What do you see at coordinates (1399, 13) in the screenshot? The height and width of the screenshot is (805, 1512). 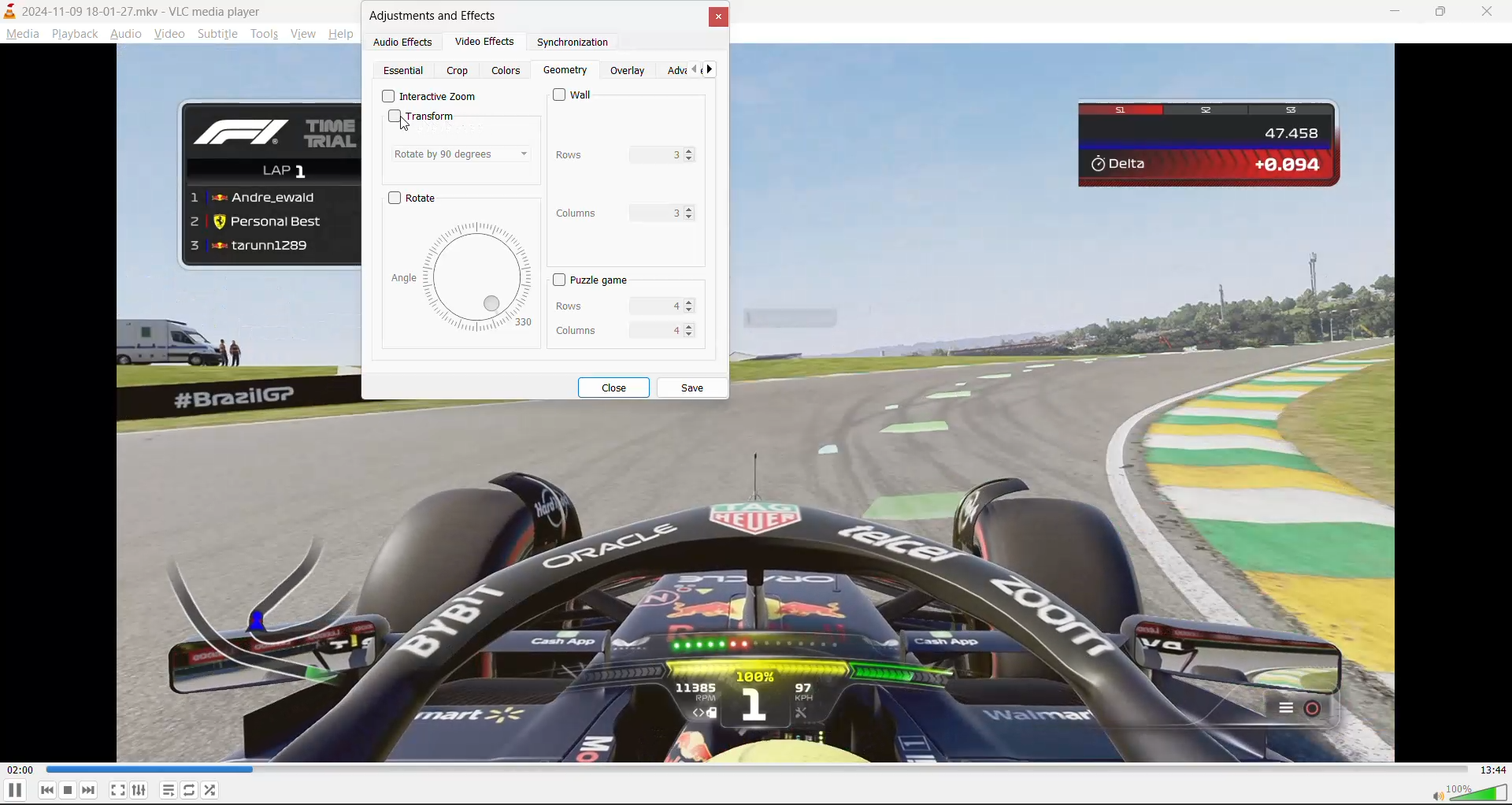 I see `minimize` at bounding box center [1399, 13].